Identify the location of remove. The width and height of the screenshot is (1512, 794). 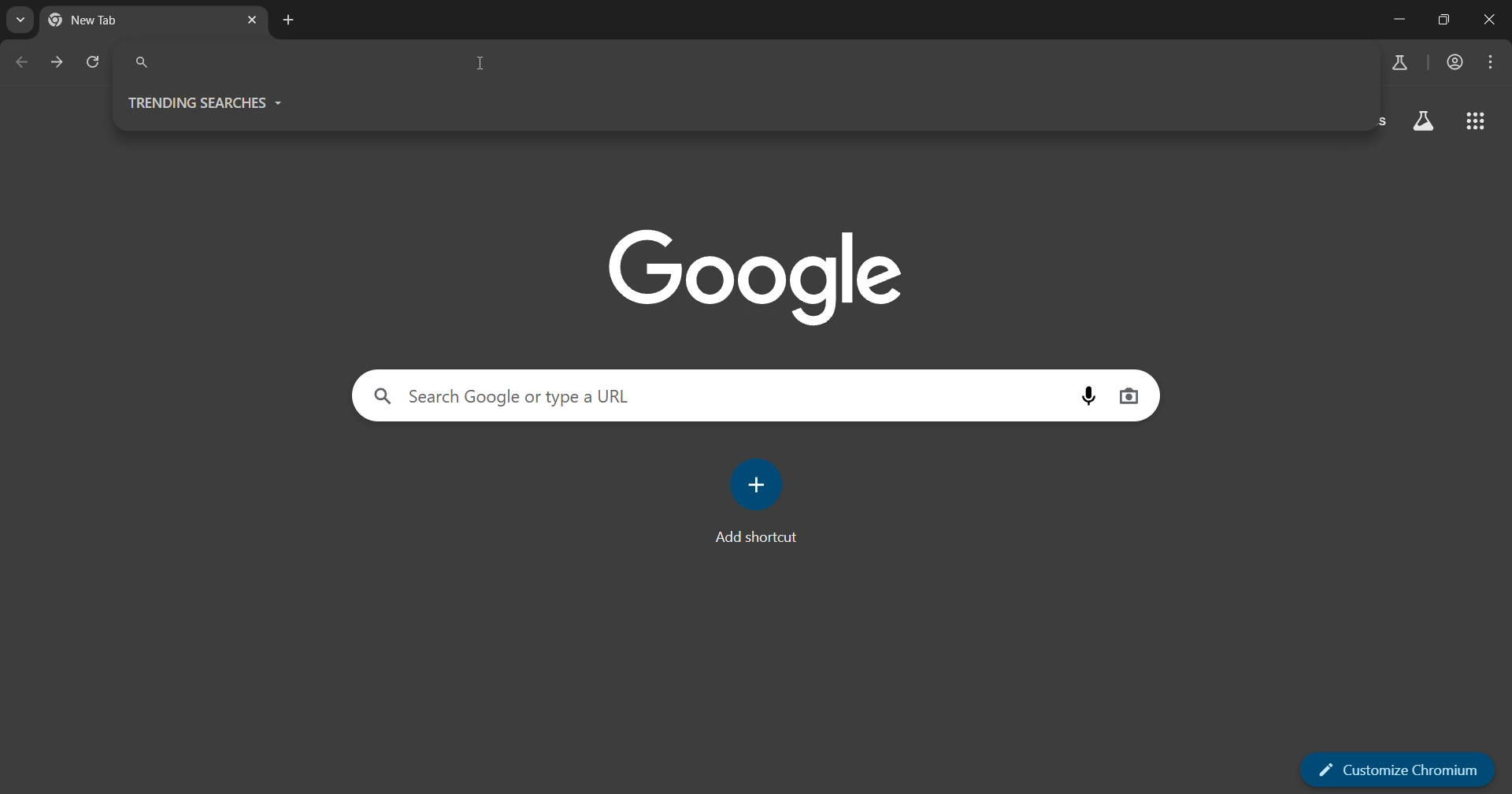
(1492, 21).